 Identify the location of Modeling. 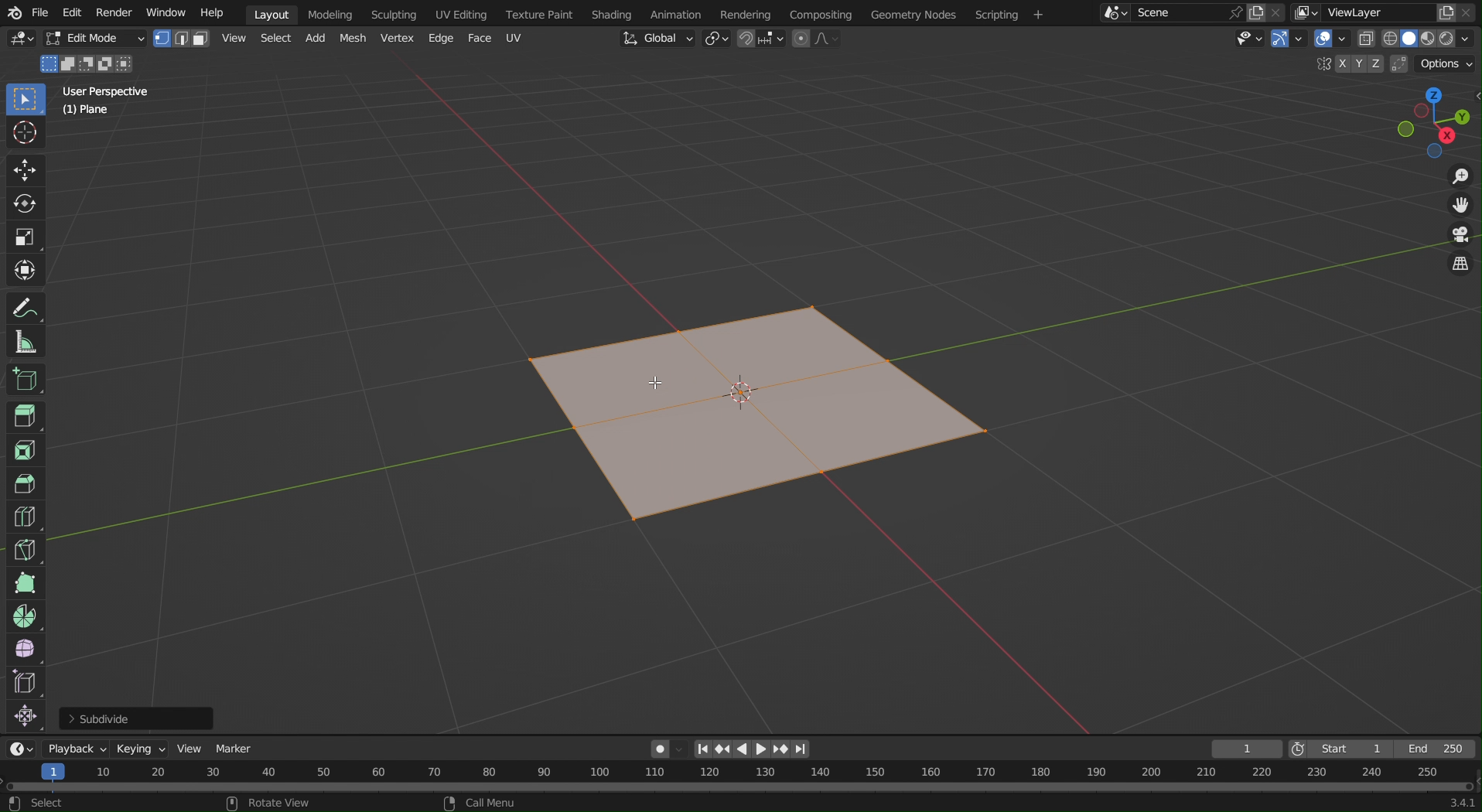
(330, 13).